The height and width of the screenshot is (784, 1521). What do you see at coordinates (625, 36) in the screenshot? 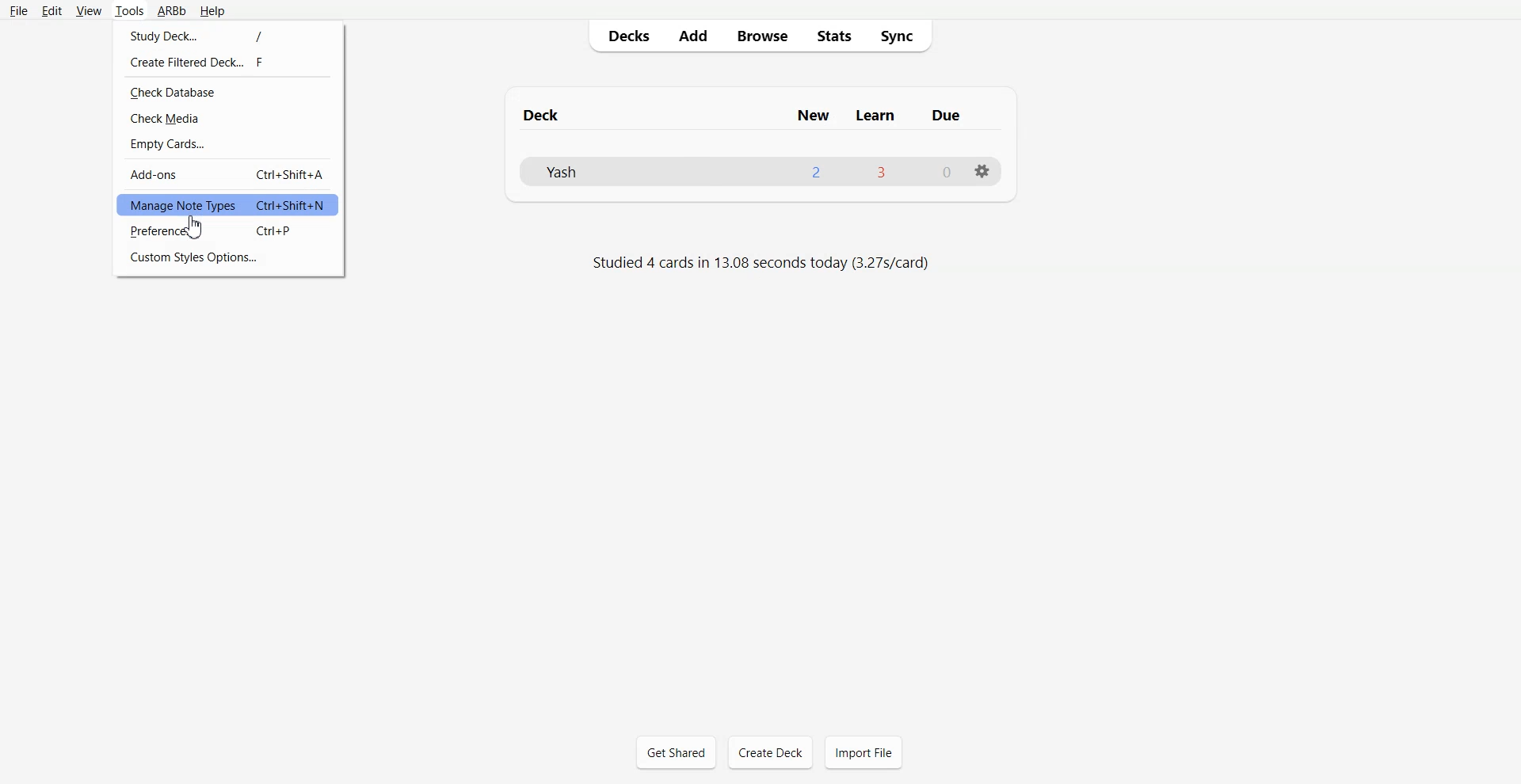
I see `Decks` at bounding box center [625, 36].